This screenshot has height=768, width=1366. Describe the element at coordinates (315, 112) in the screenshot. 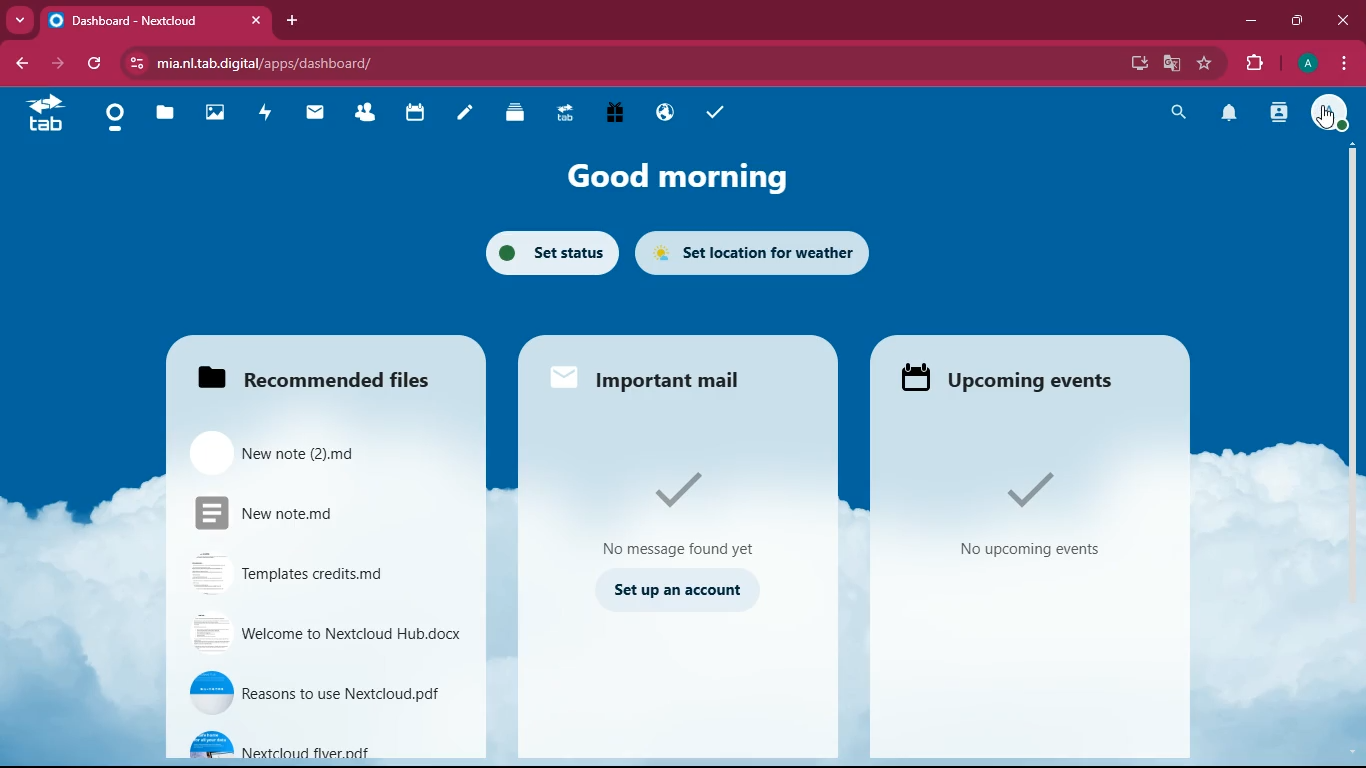

I see `mail` at that location.